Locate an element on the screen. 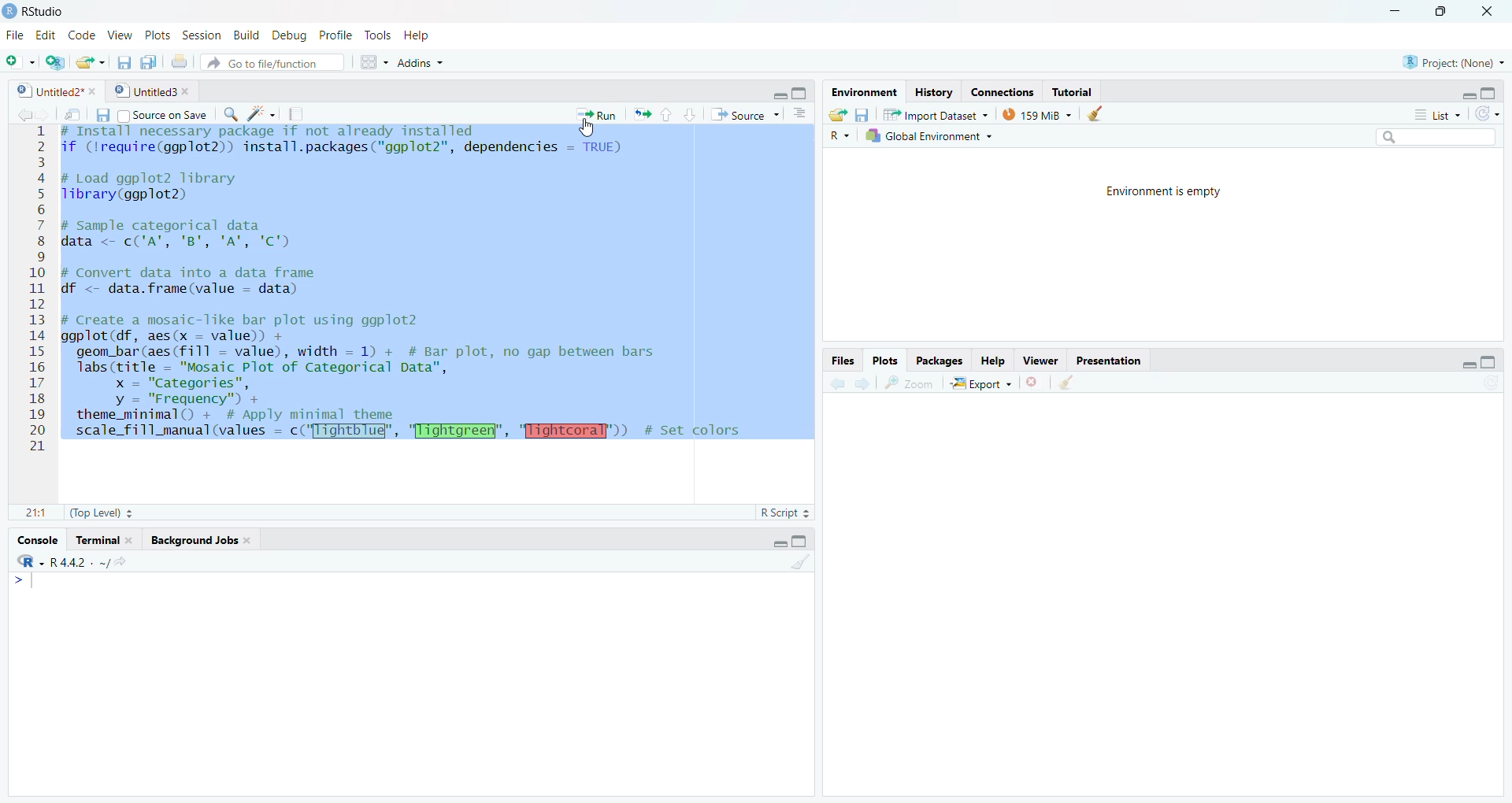 This screenshot has width=1512, height=803. Down is located at coordinates (690, 113).